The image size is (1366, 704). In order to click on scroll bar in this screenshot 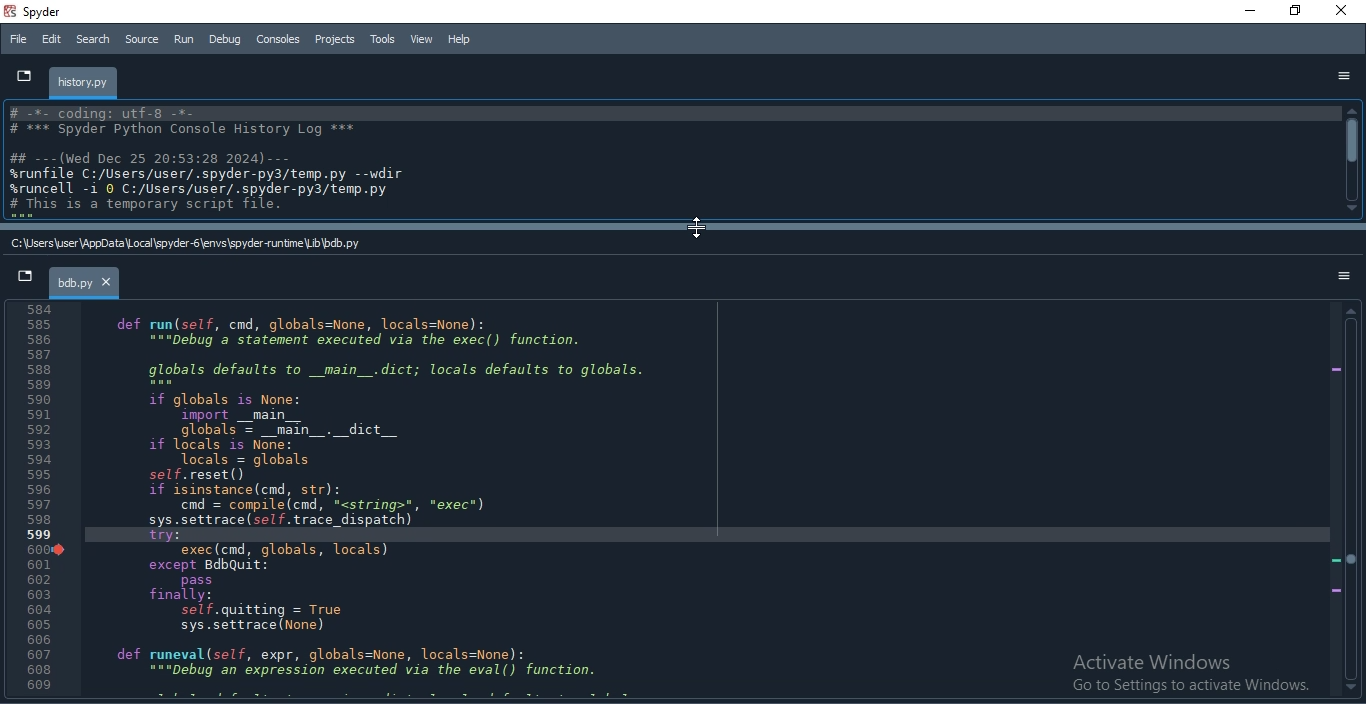, I will do `click(680, 228)`.